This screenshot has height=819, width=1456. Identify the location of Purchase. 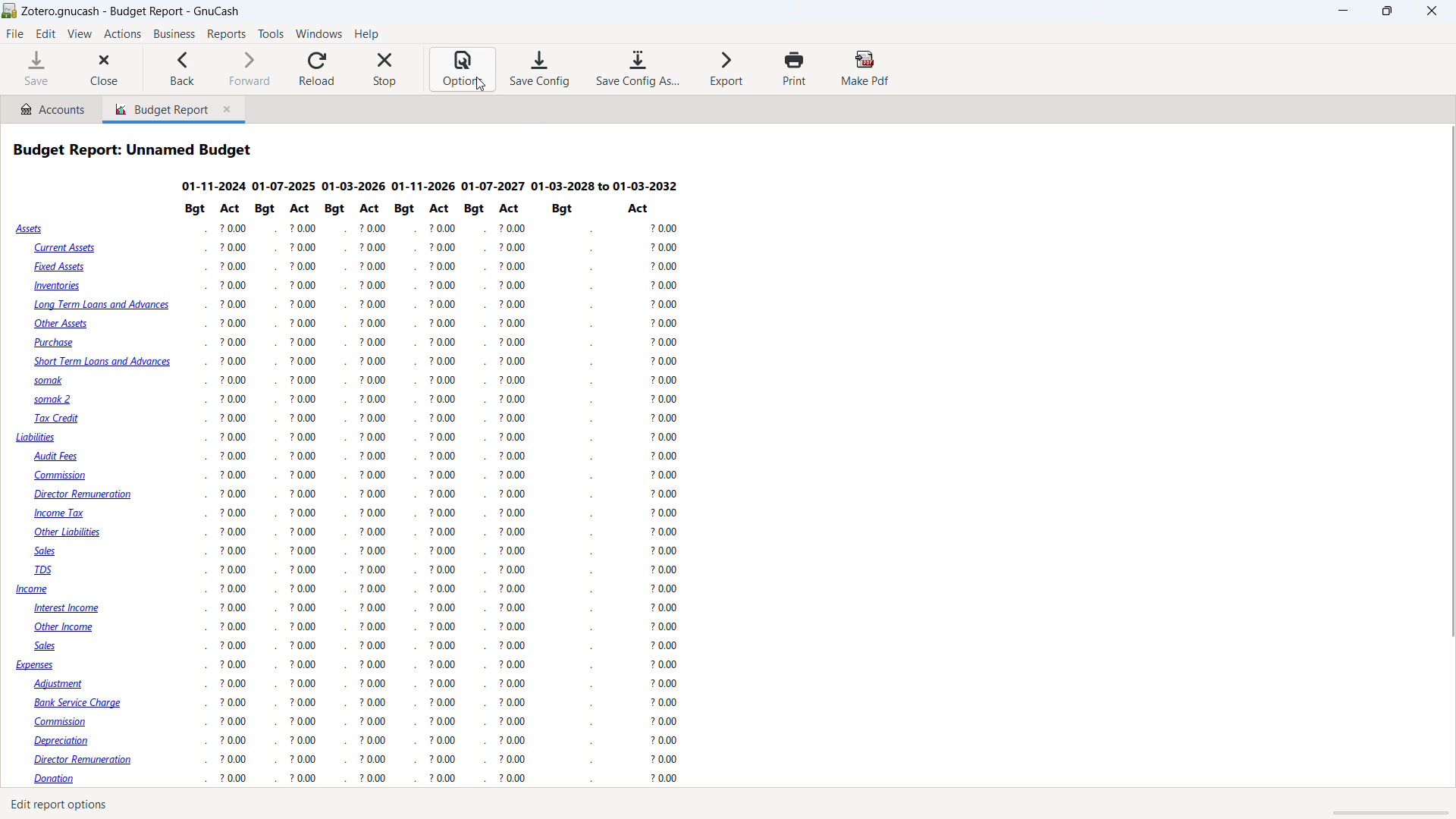
(58, 342).